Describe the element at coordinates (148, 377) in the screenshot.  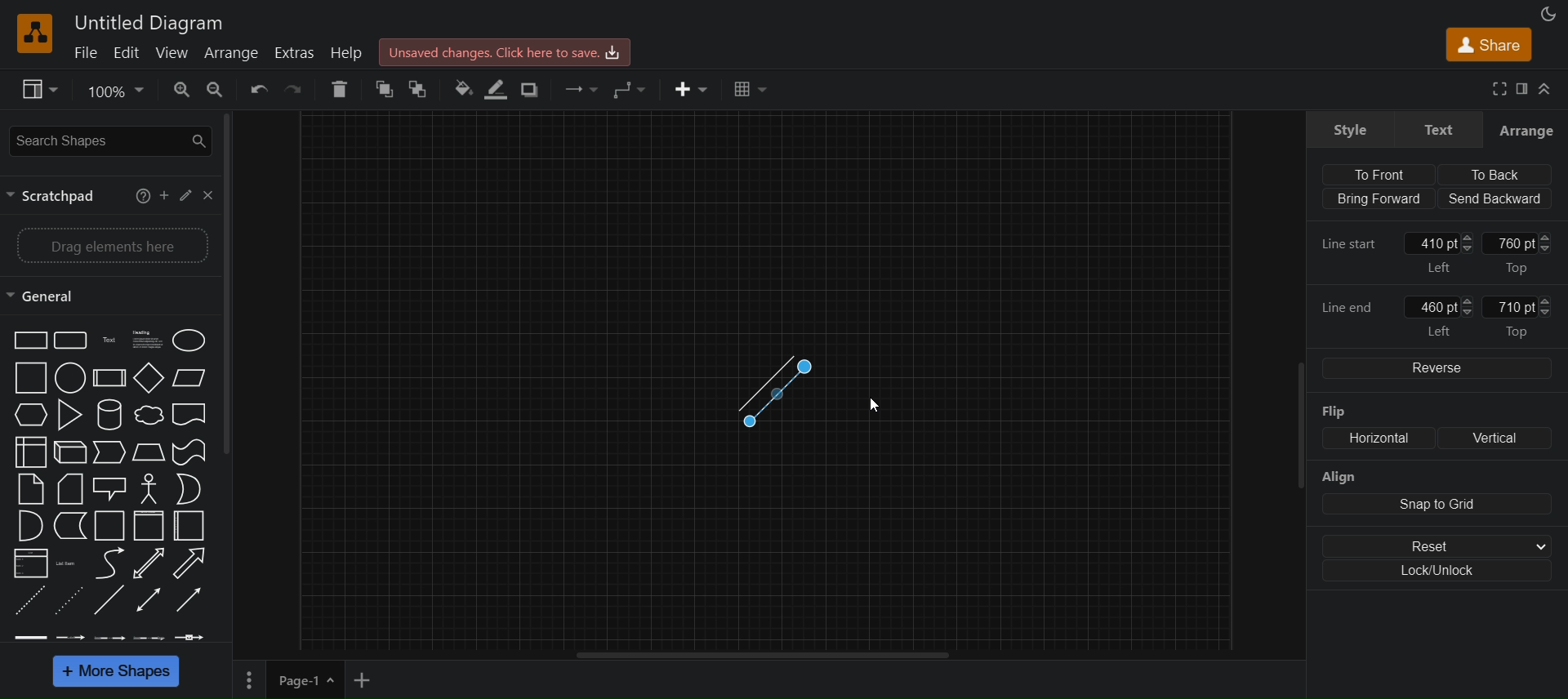
I see `Diamond` at that location.